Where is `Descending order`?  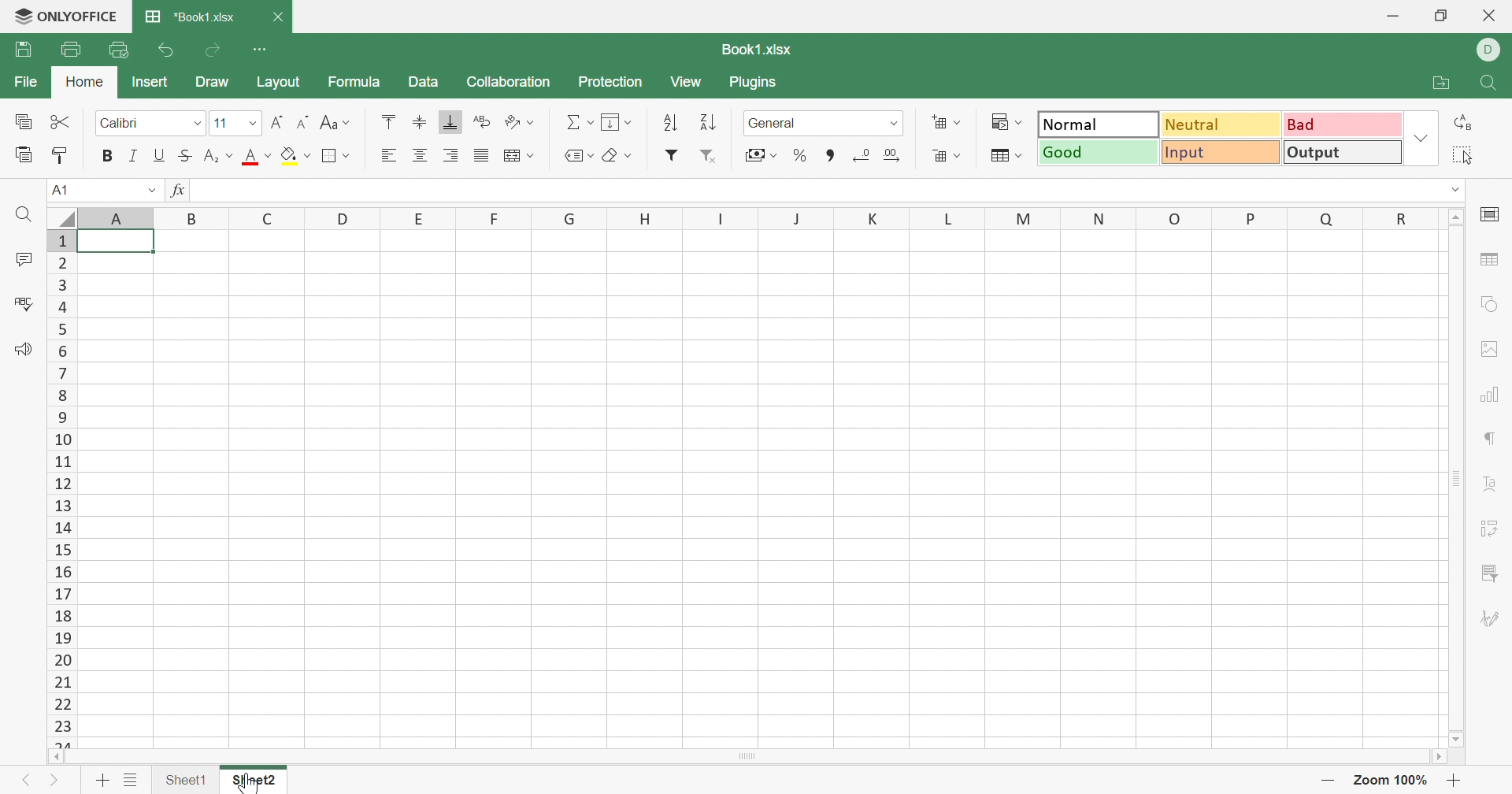
Descending order is located at coordinates (712, 121).